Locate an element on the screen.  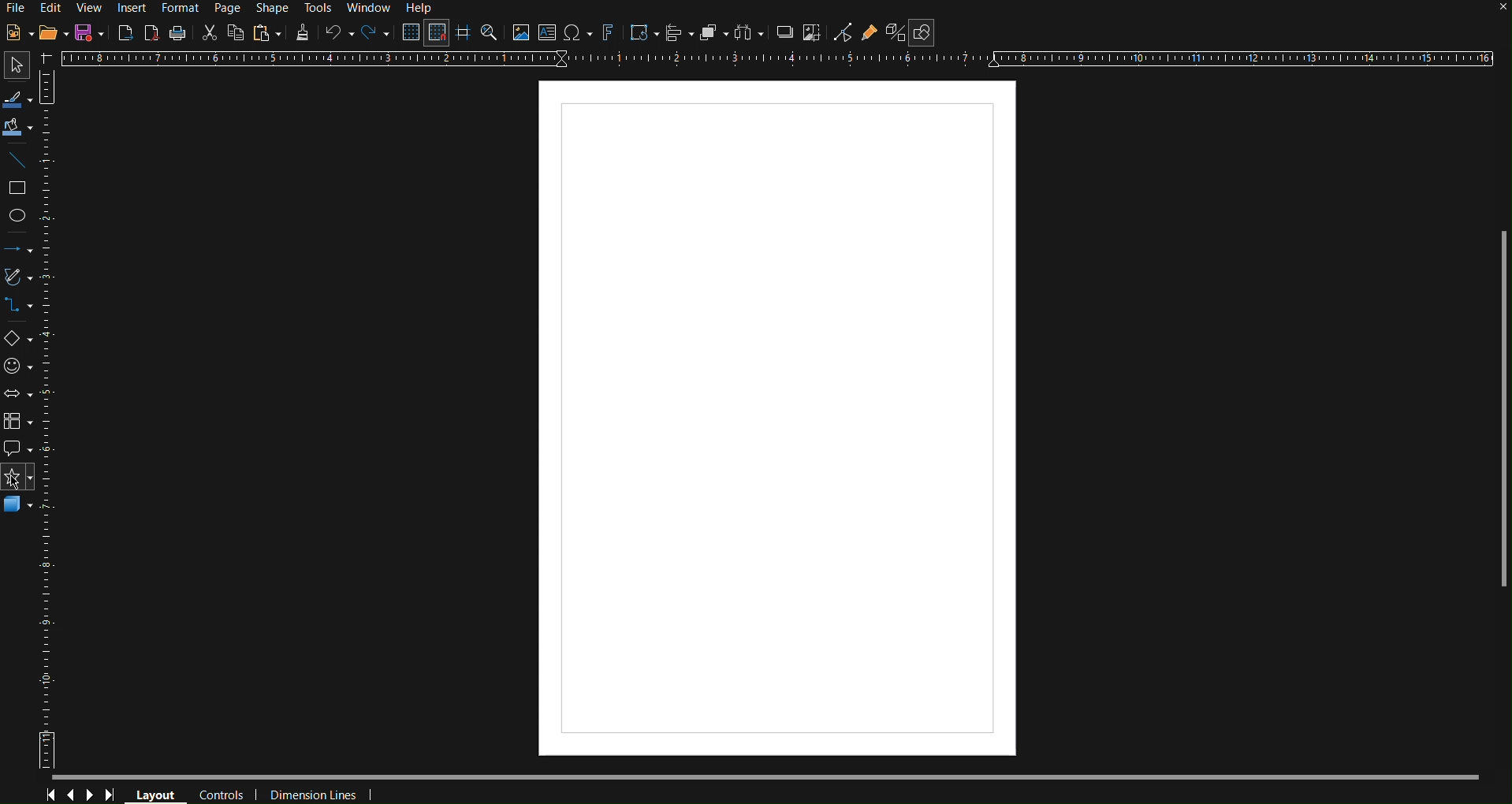
New is located at coordinates (19, 33).